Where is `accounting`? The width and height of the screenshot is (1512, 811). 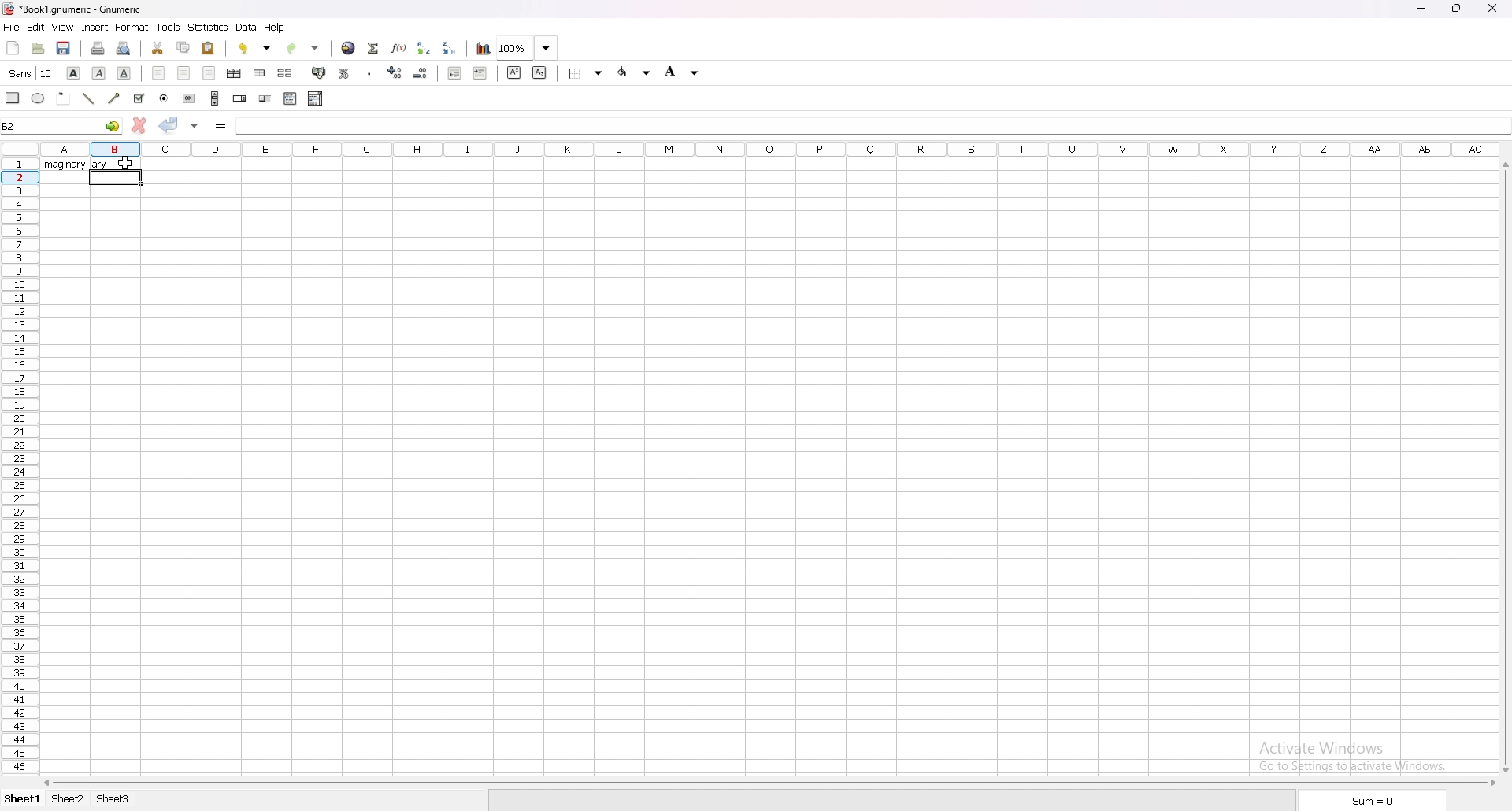
accounting is located at coordinates (319, 74).